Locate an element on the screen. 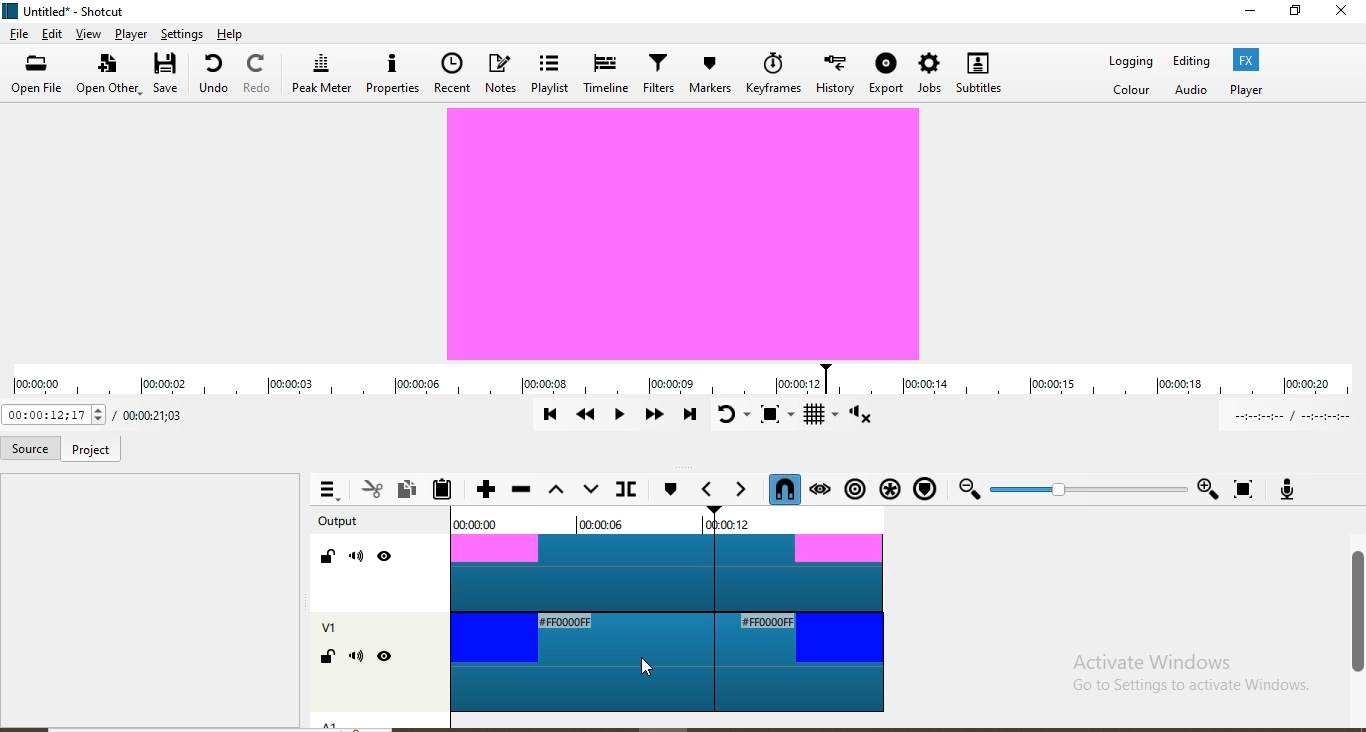 This screenshot has width=1366, height=732. Notes is located at coordinates (501, 77).